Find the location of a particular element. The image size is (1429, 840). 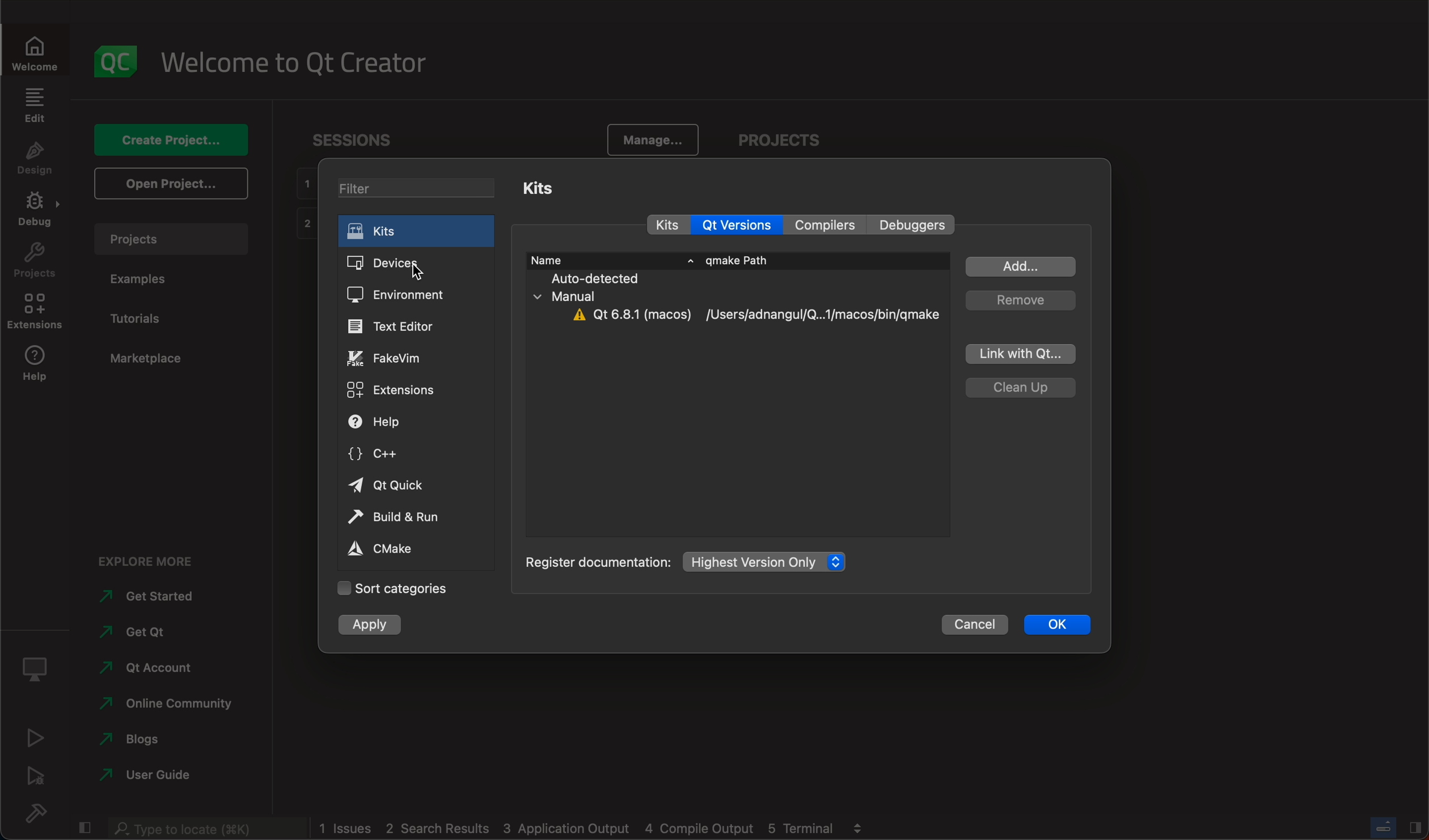

CMake is located at coordinates (389, 550).